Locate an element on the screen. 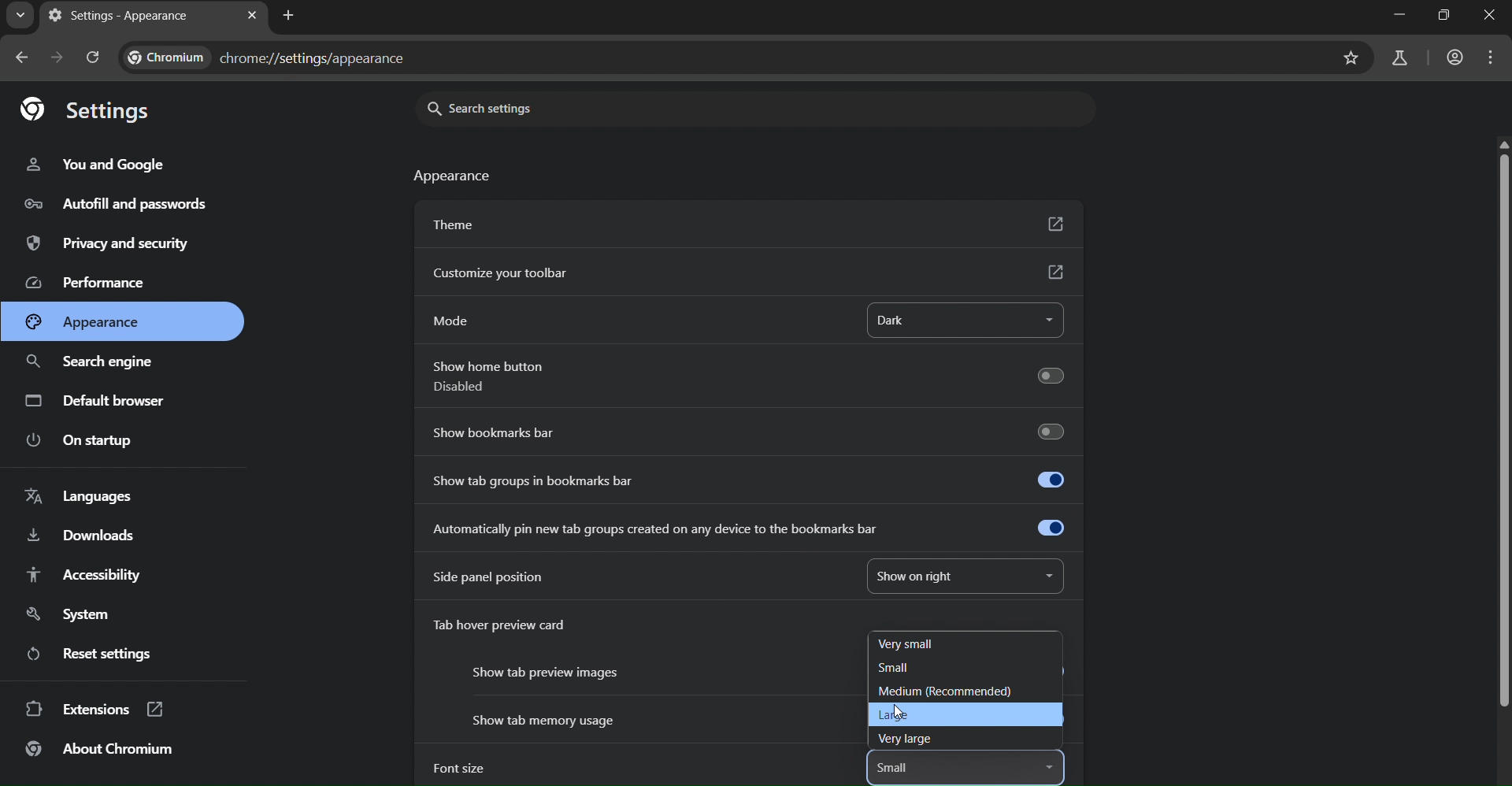 The width and height of the screenshot is (1512, 786). new tab is located at coordinates (289, 17).